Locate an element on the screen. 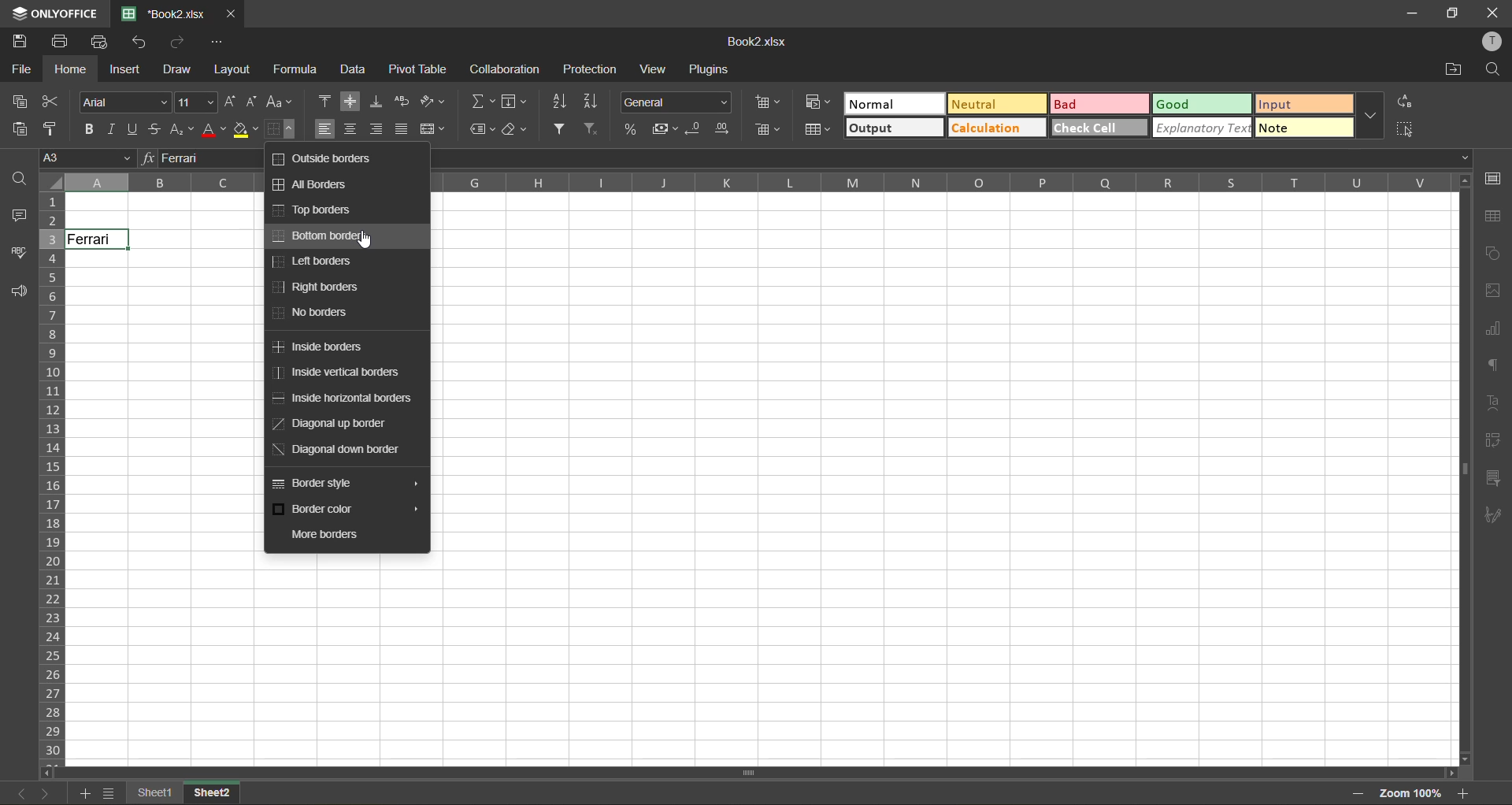  formula bar is located at coordinates (195, 158).